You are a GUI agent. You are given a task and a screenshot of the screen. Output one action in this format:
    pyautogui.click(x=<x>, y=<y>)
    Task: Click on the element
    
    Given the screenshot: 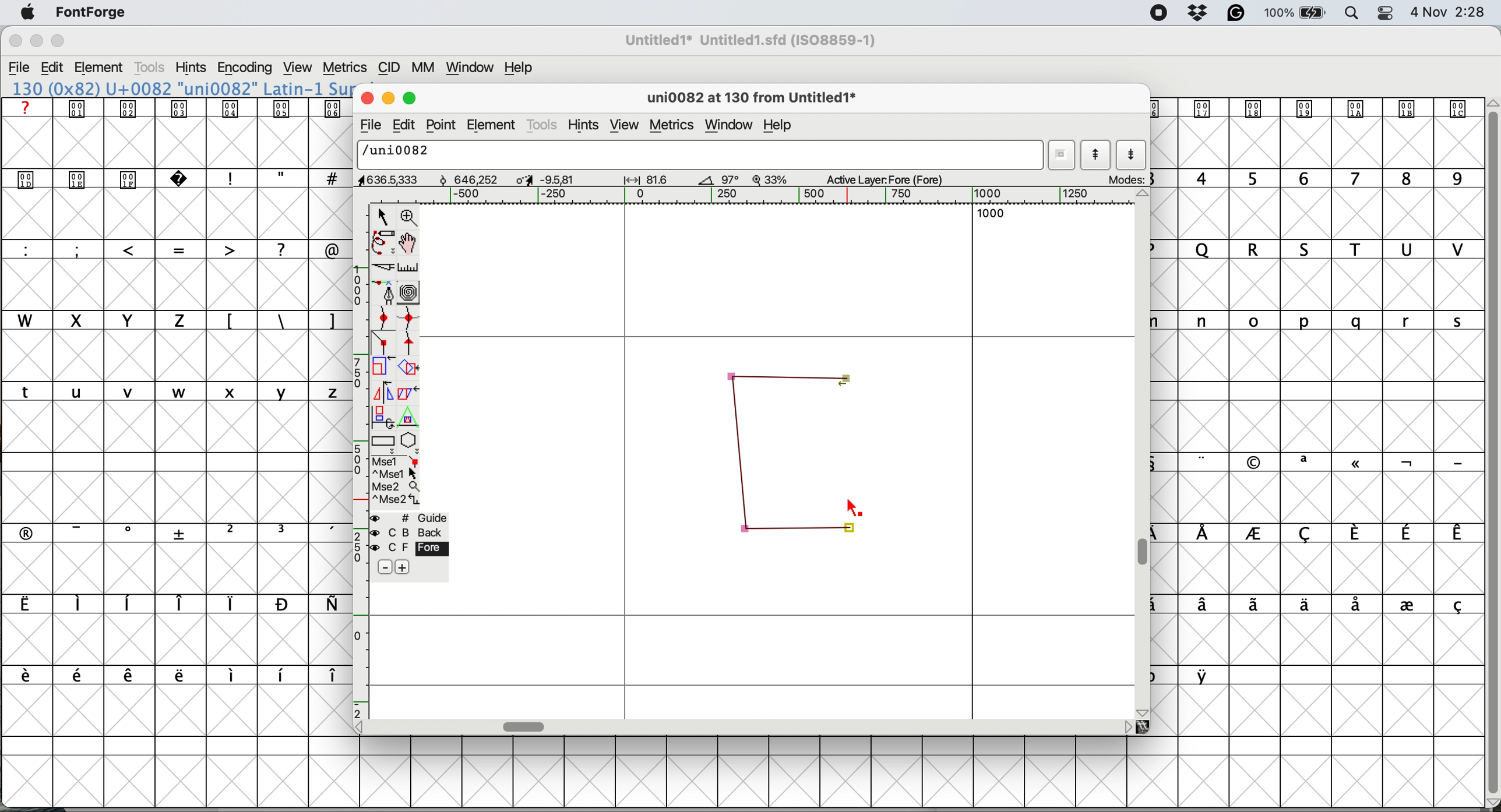 What is the action you would take?
    pyautogui.click(x=492, y=124)
    